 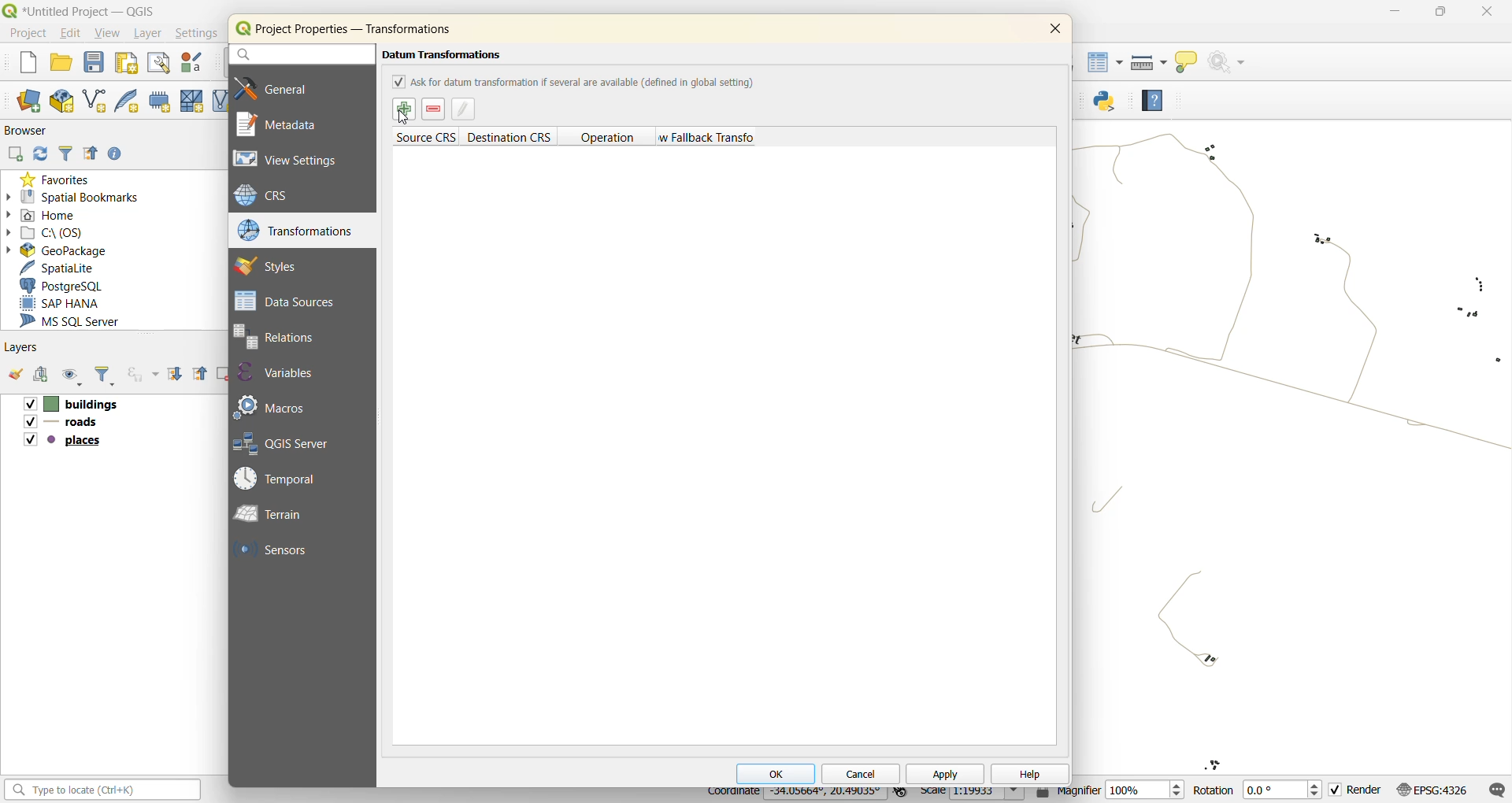 I want to click on operation, so click(x=611, y=135).